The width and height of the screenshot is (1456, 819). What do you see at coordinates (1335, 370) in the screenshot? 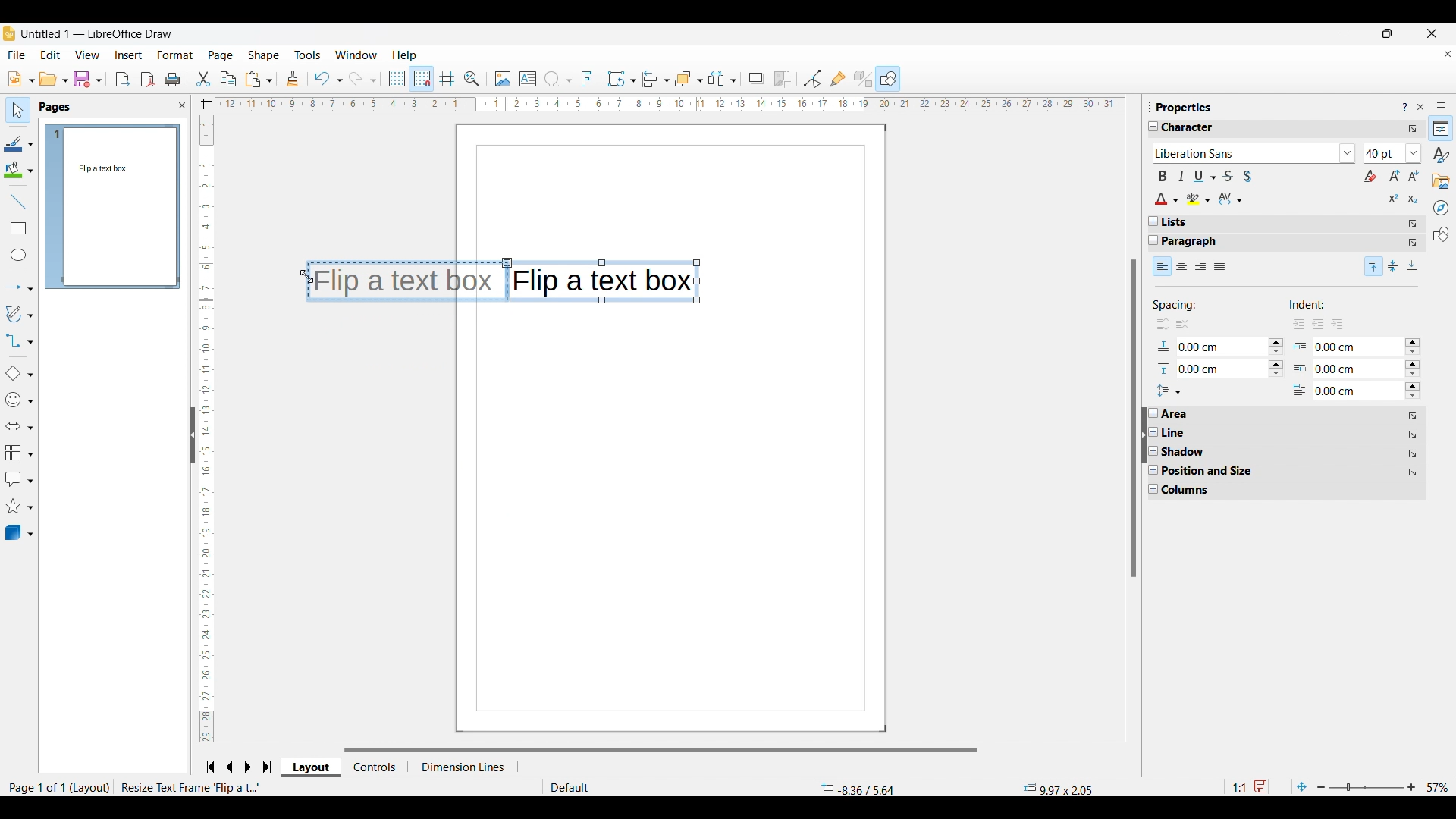
I see `0 cm` at bounding box center [1335, 370].